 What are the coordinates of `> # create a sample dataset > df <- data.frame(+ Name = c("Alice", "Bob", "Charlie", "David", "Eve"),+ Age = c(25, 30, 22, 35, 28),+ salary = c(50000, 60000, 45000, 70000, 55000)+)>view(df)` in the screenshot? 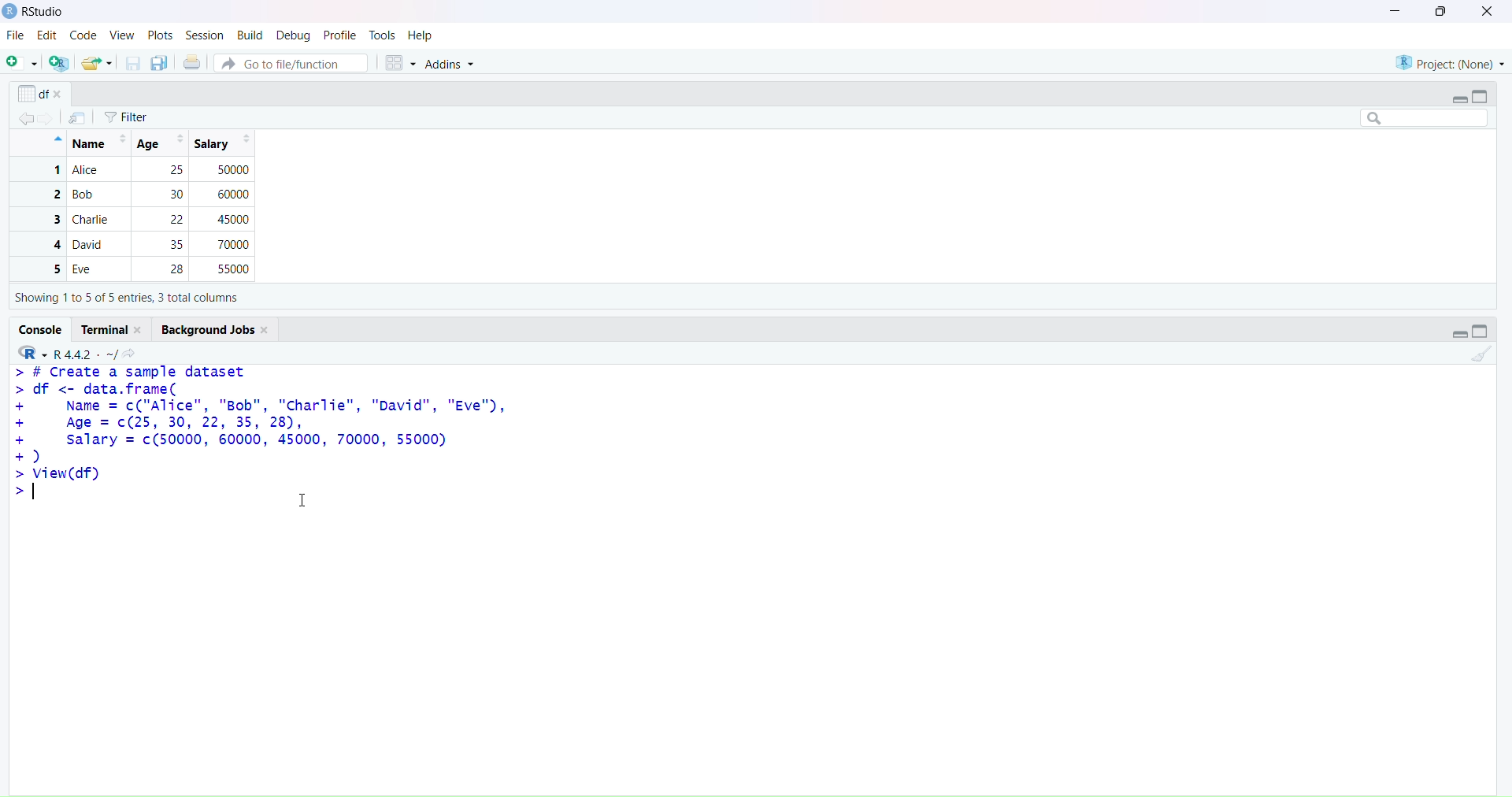 It's located at (272, 430).